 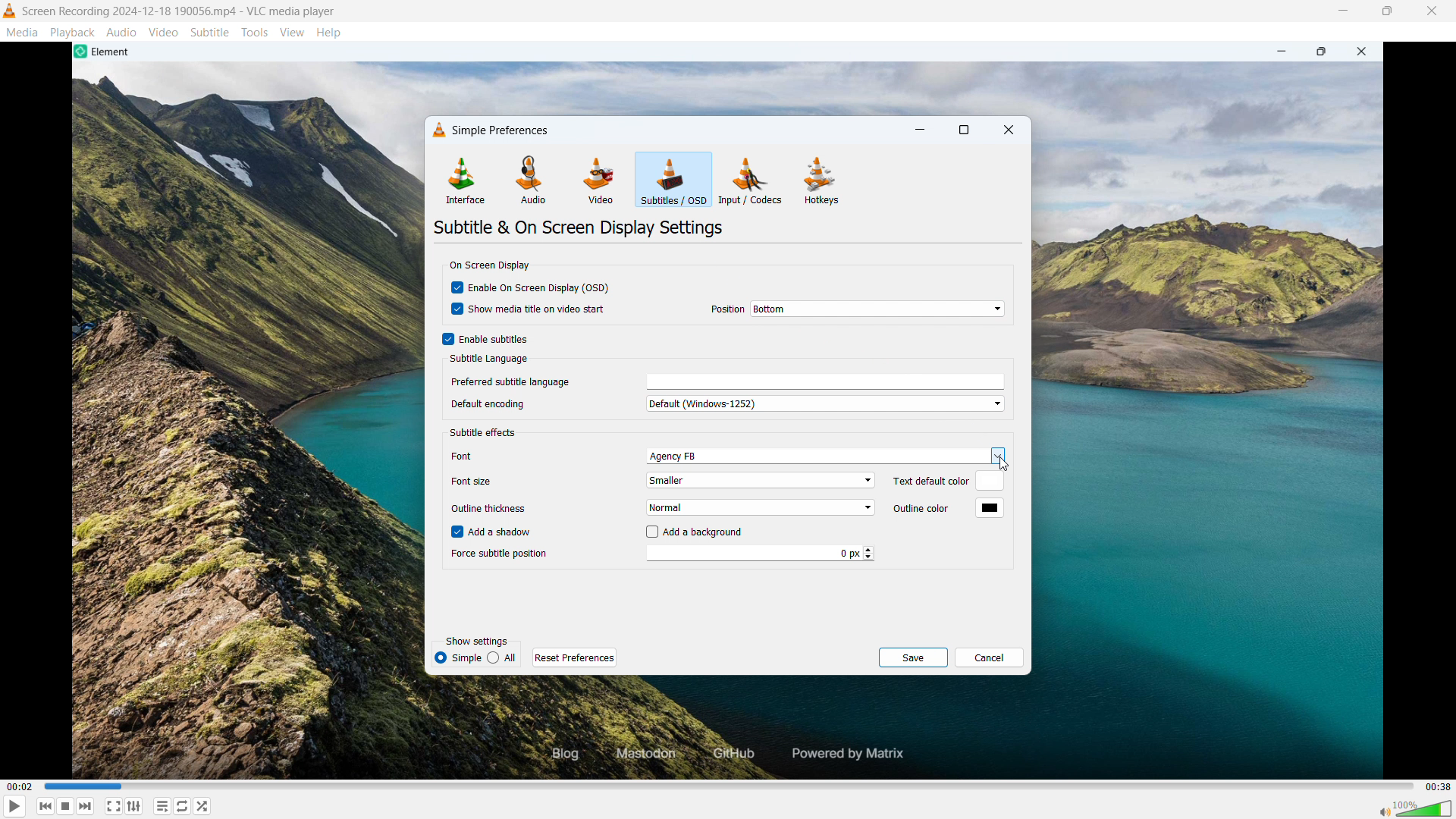 I want to click on set outline thickness, so click(x=758, y=507).